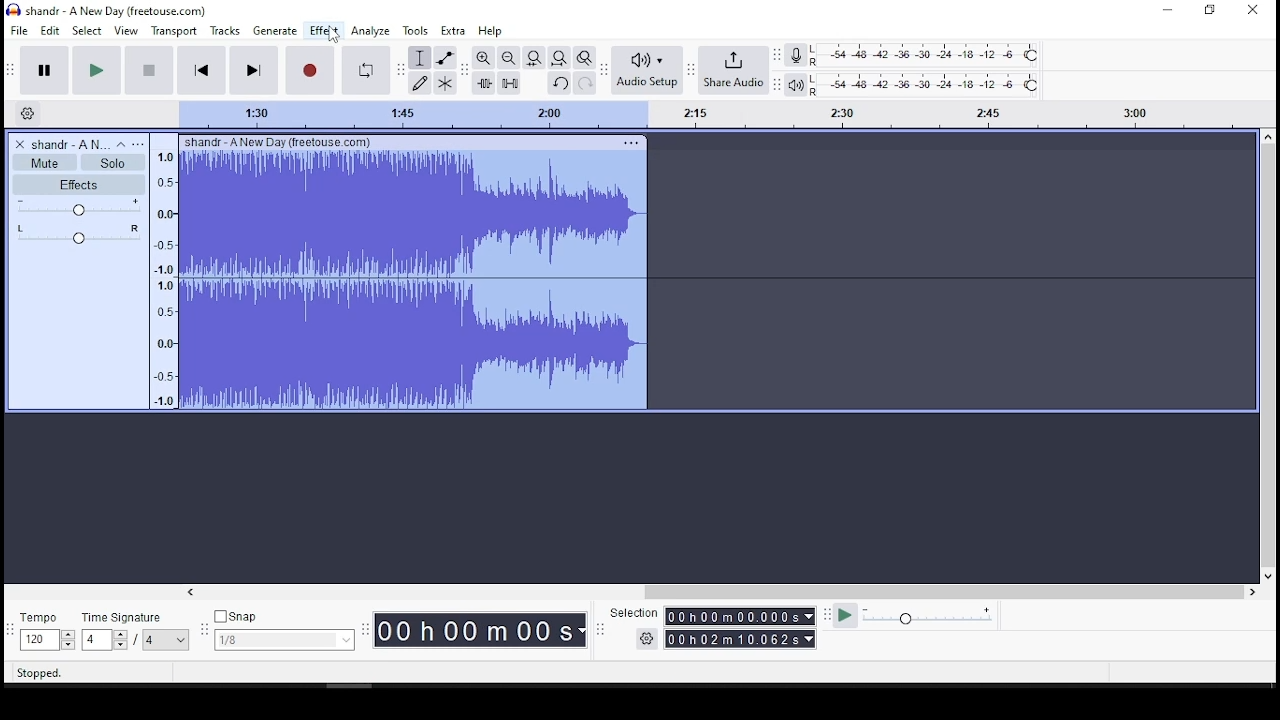 Image resolution: width=1280 pixels, height=720 pixels. Describe the element at coordinates (484, 83) in the screenshot. I see `trim audio outside selection` at that location.